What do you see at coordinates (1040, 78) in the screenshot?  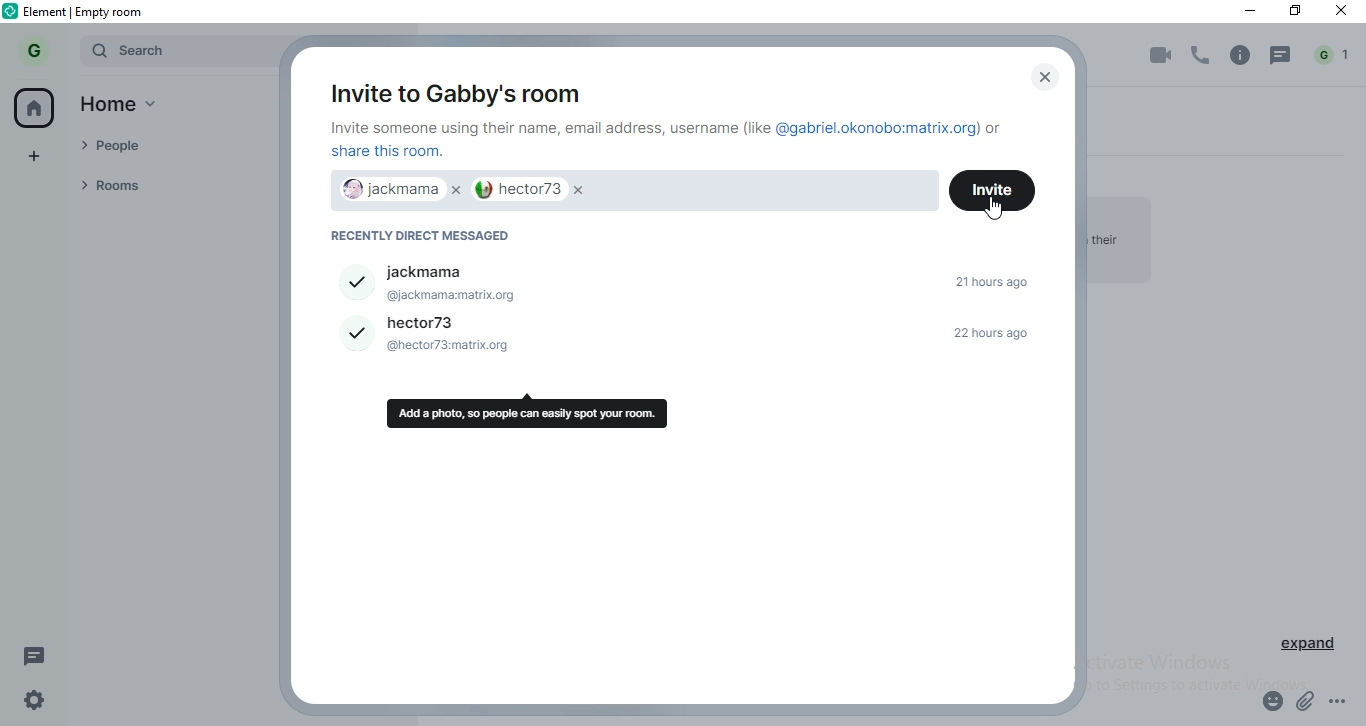 I see `close` at bounding box center [1040, 78].